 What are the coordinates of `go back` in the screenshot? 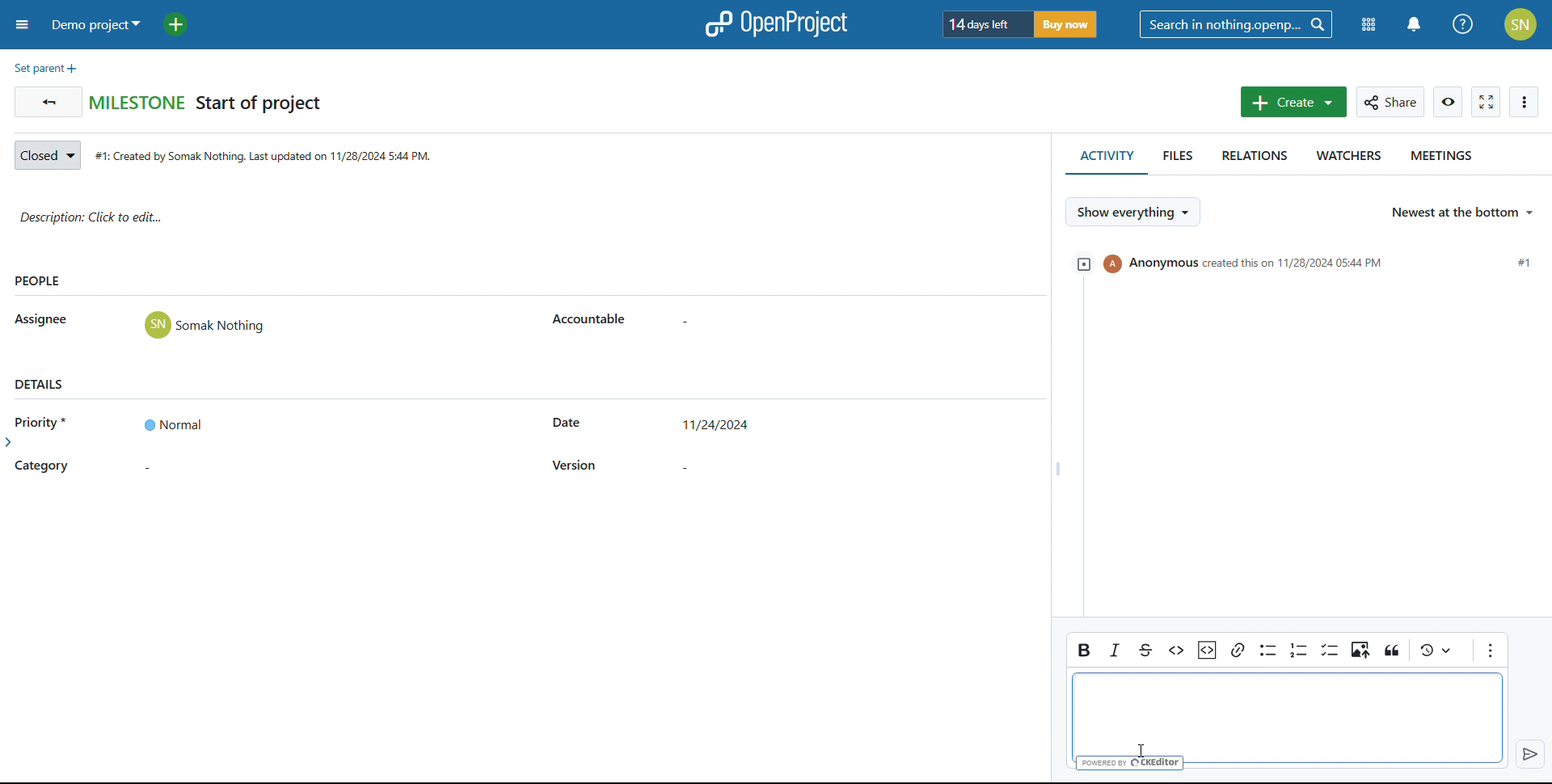 It's located at (48, 102).